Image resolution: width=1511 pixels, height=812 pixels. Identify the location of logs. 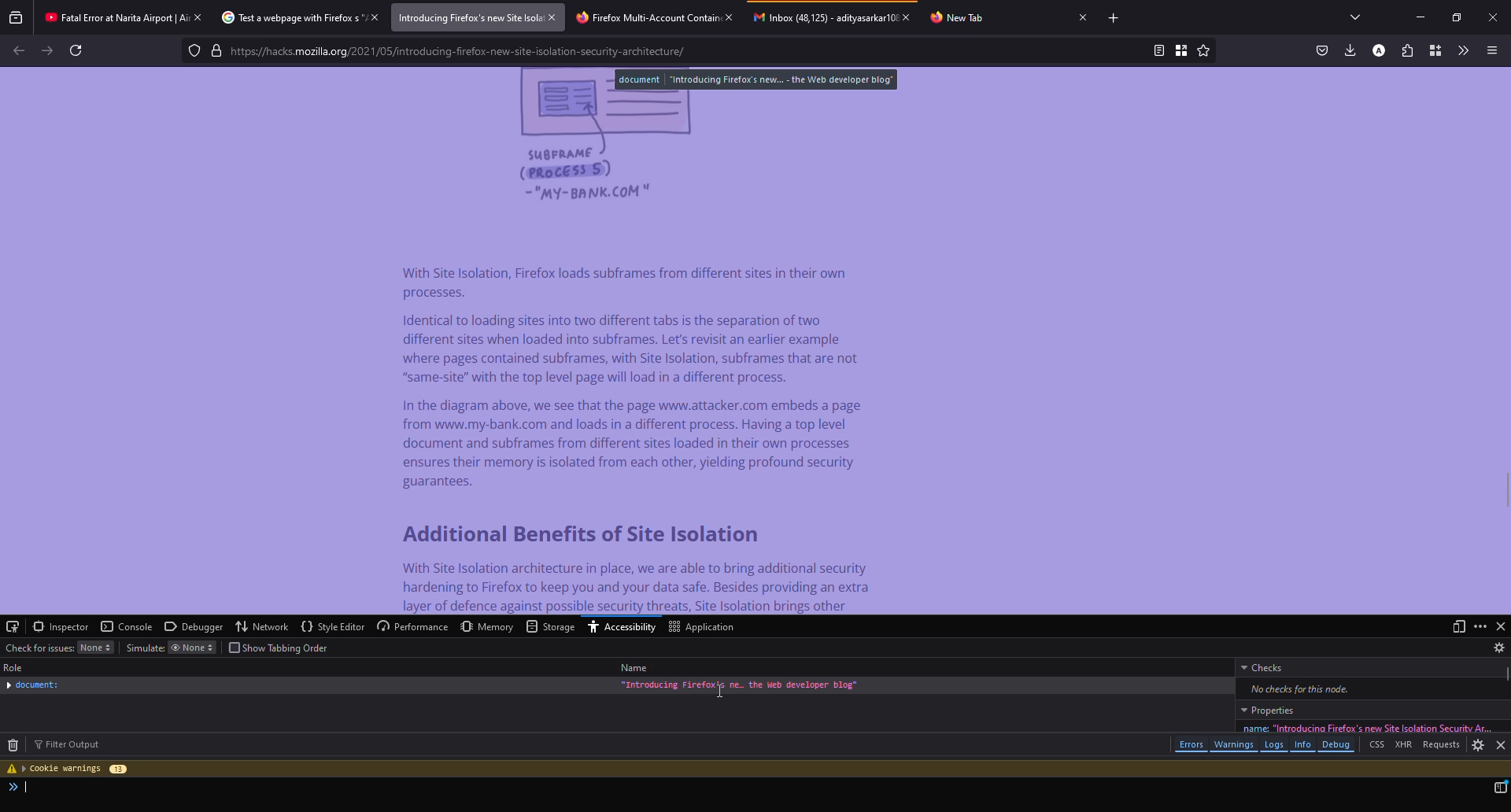
(1275, 745).